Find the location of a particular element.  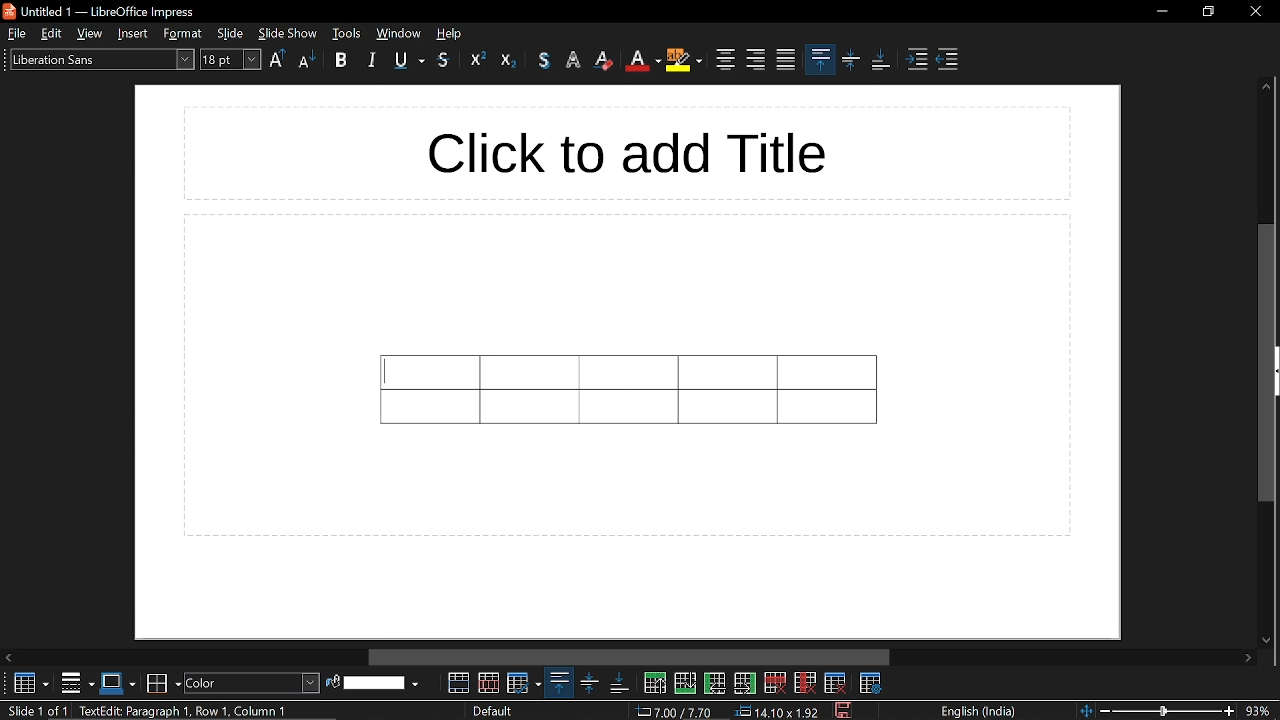

delete column is located at coordinates (803, 682).